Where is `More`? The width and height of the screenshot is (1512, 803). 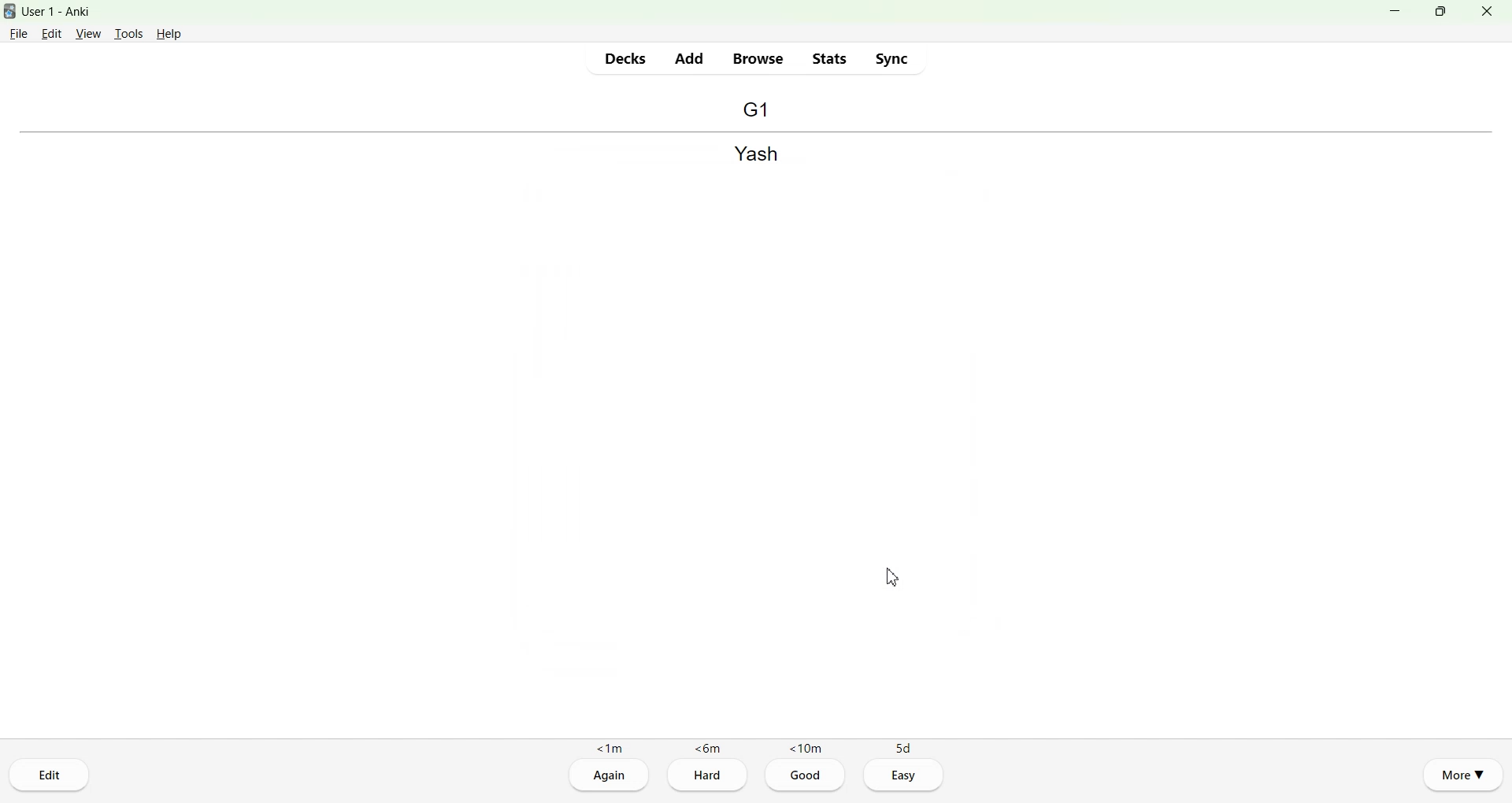
More is located at coordinates (1463, 773).